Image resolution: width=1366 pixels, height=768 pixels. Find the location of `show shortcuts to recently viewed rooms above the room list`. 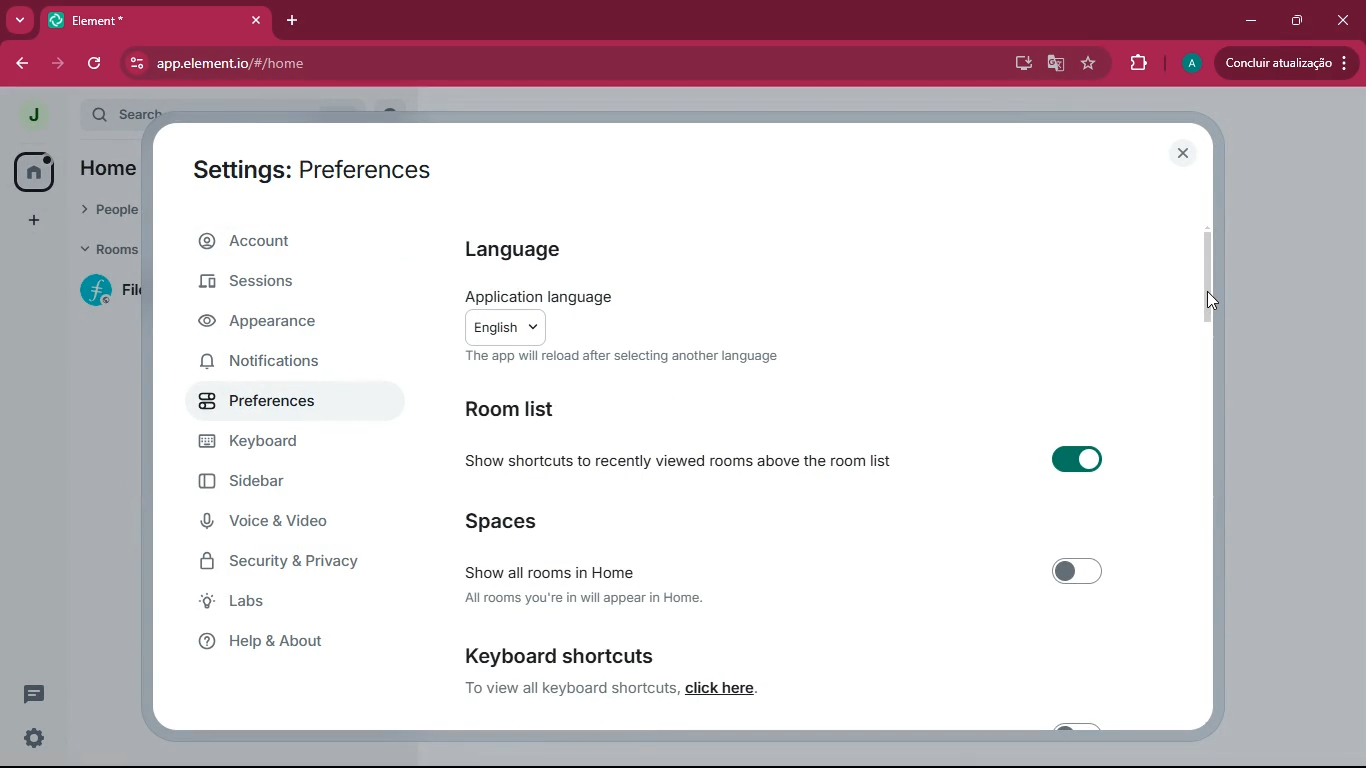

show shortcuts to recently viewed rooms above the room list is located at coordinates (676, 460).